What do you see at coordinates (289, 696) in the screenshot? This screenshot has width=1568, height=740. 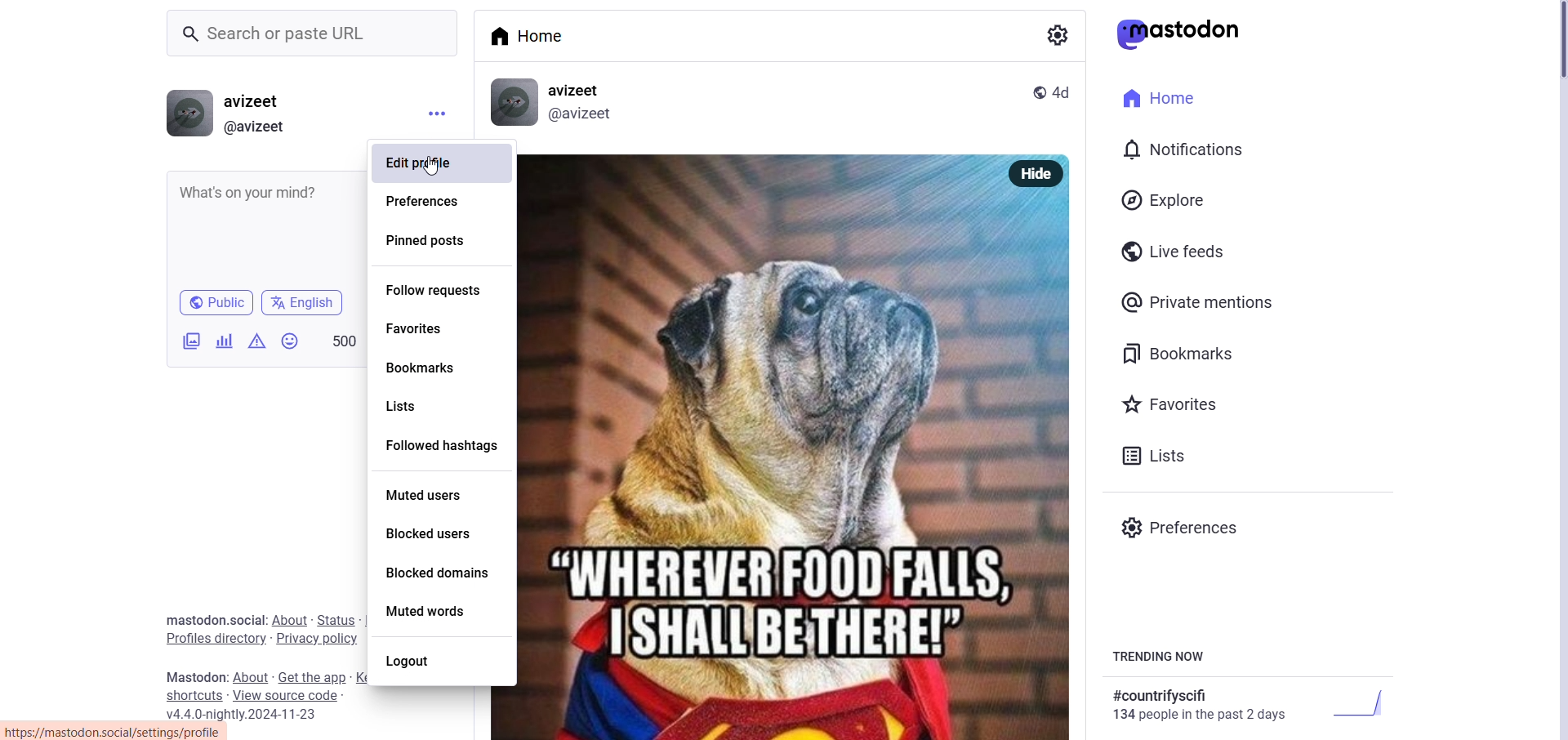 I see `source code` at bounding box center [289, 696].